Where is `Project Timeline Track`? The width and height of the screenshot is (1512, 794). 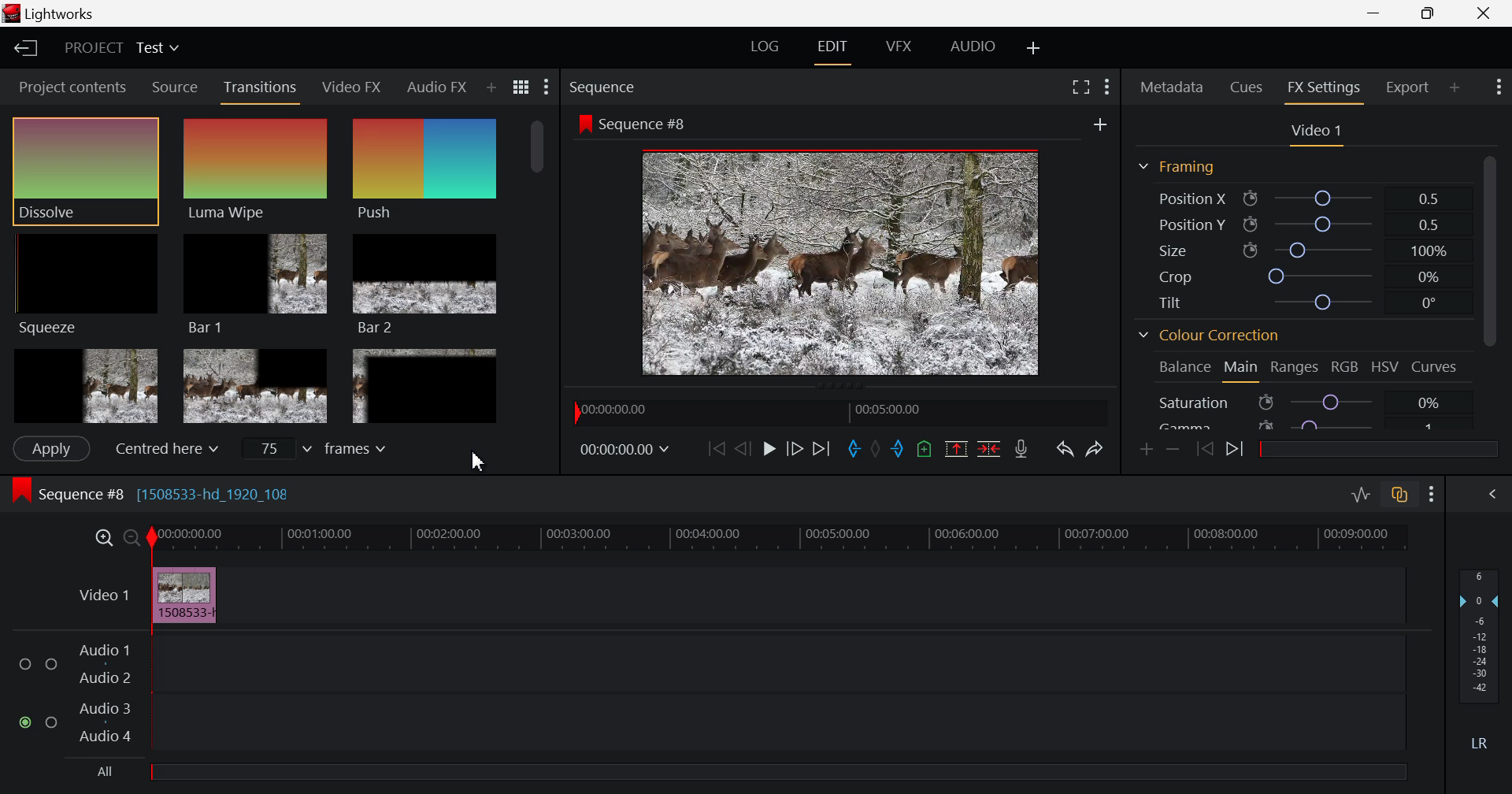 Project Timeline Track is located at coordinates (780, 538).